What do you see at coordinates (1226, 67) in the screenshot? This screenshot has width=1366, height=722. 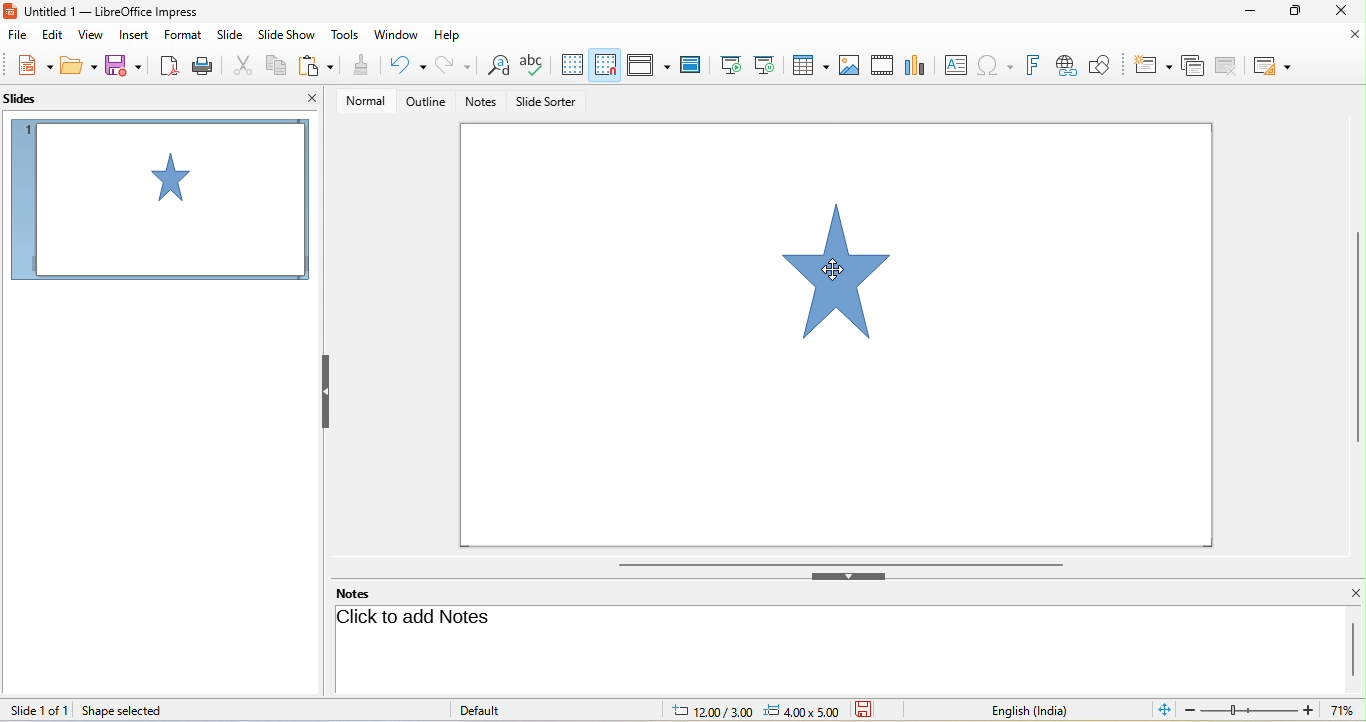 I see `duplicate slide` at bounding box center [1226, 67].